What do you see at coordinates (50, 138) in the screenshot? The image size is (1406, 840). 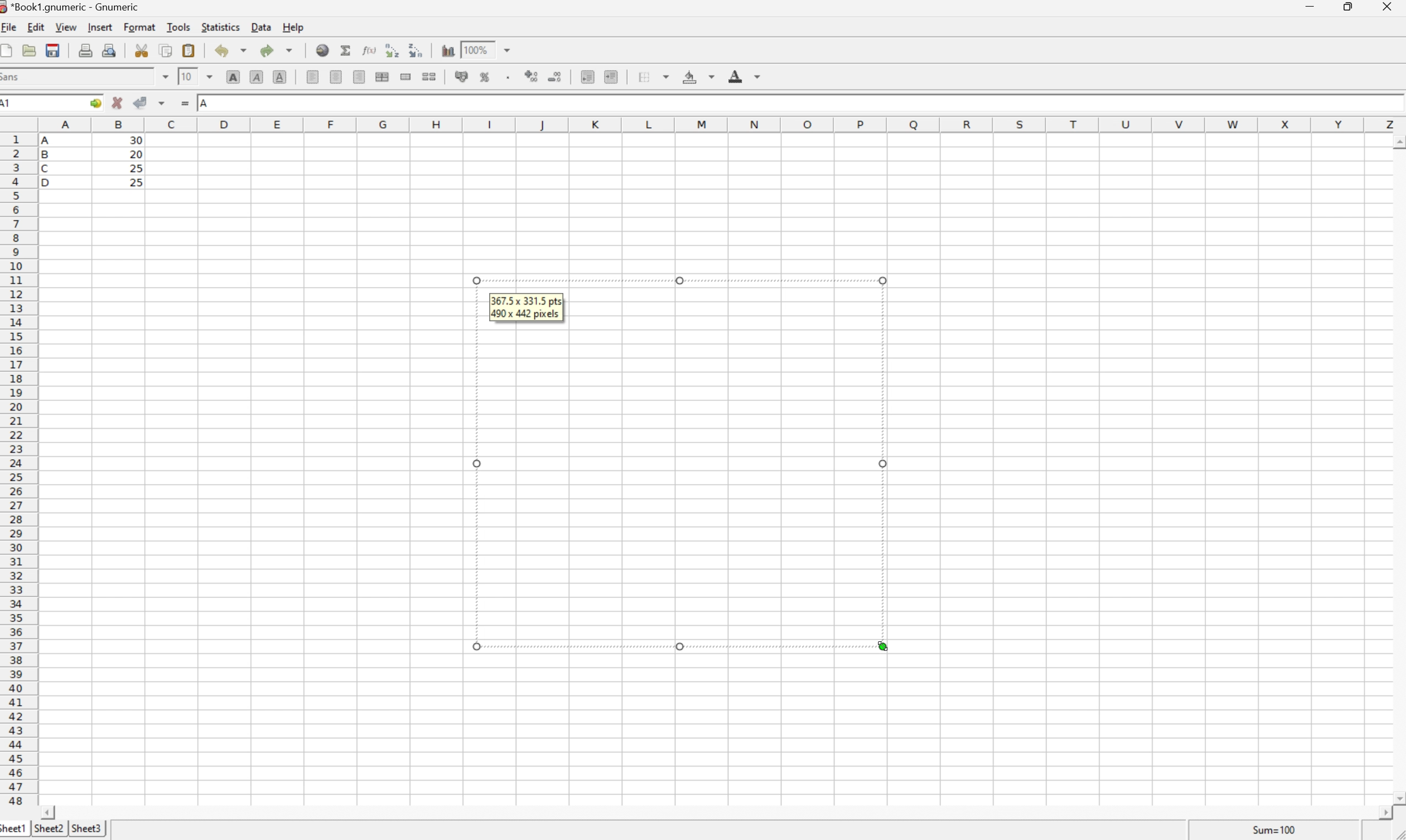 I see `A` at bounding box center [50, 138].